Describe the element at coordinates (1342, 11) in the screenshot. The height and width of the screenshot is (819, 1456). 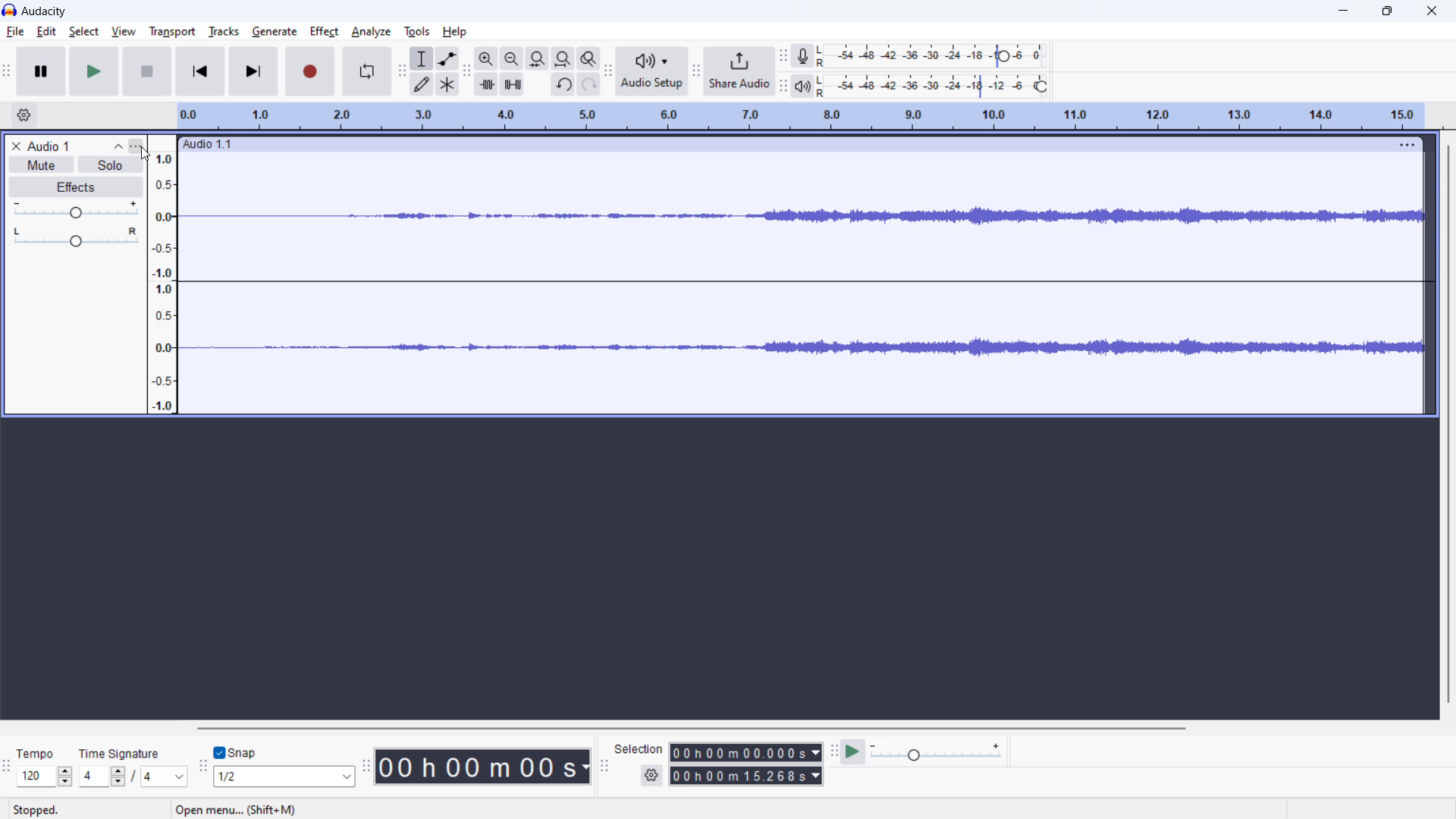
I see `minimize` at that location.